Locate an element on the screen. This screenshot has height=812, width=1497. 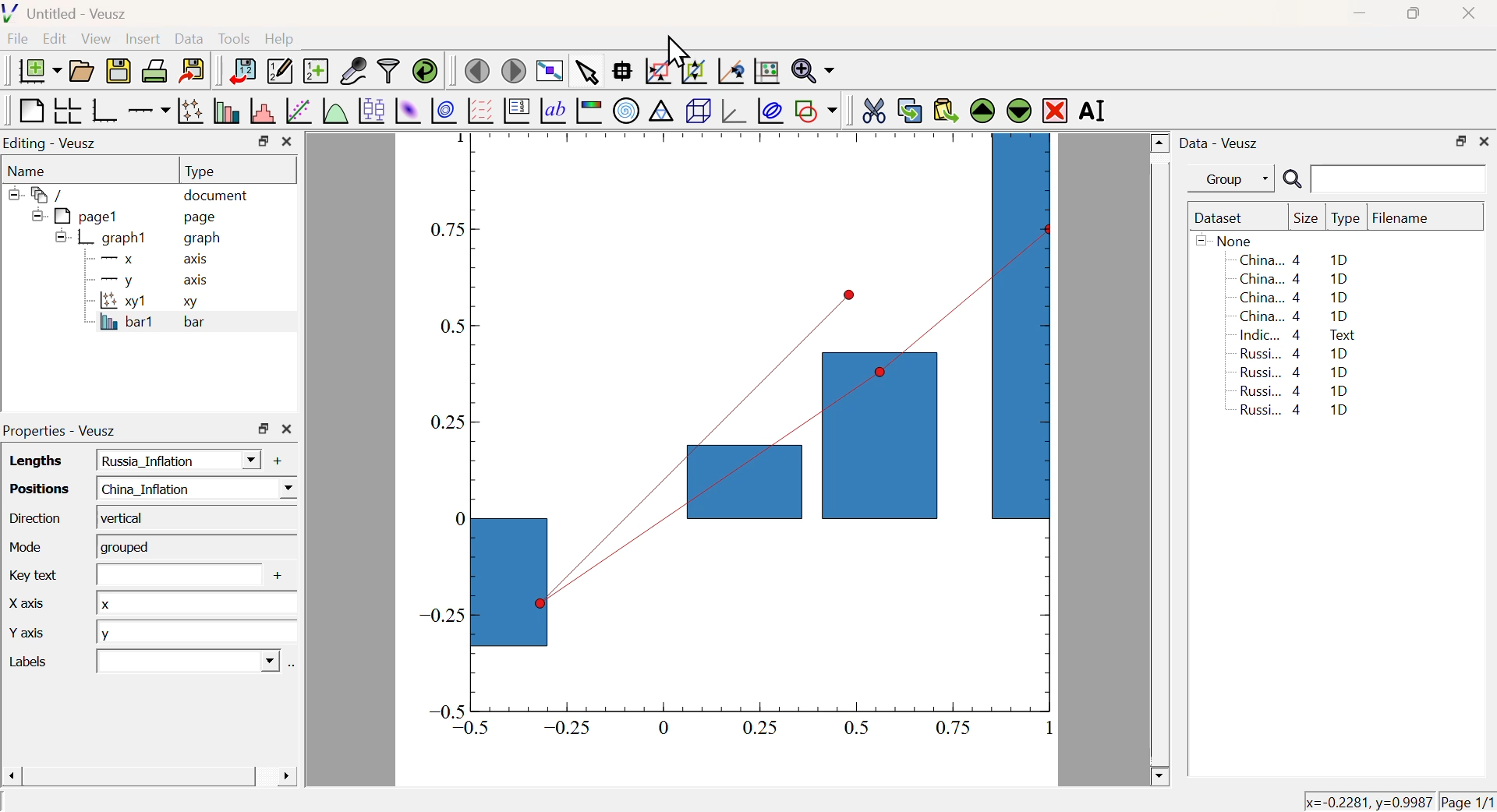
Data is located at coordinates (189, 38).